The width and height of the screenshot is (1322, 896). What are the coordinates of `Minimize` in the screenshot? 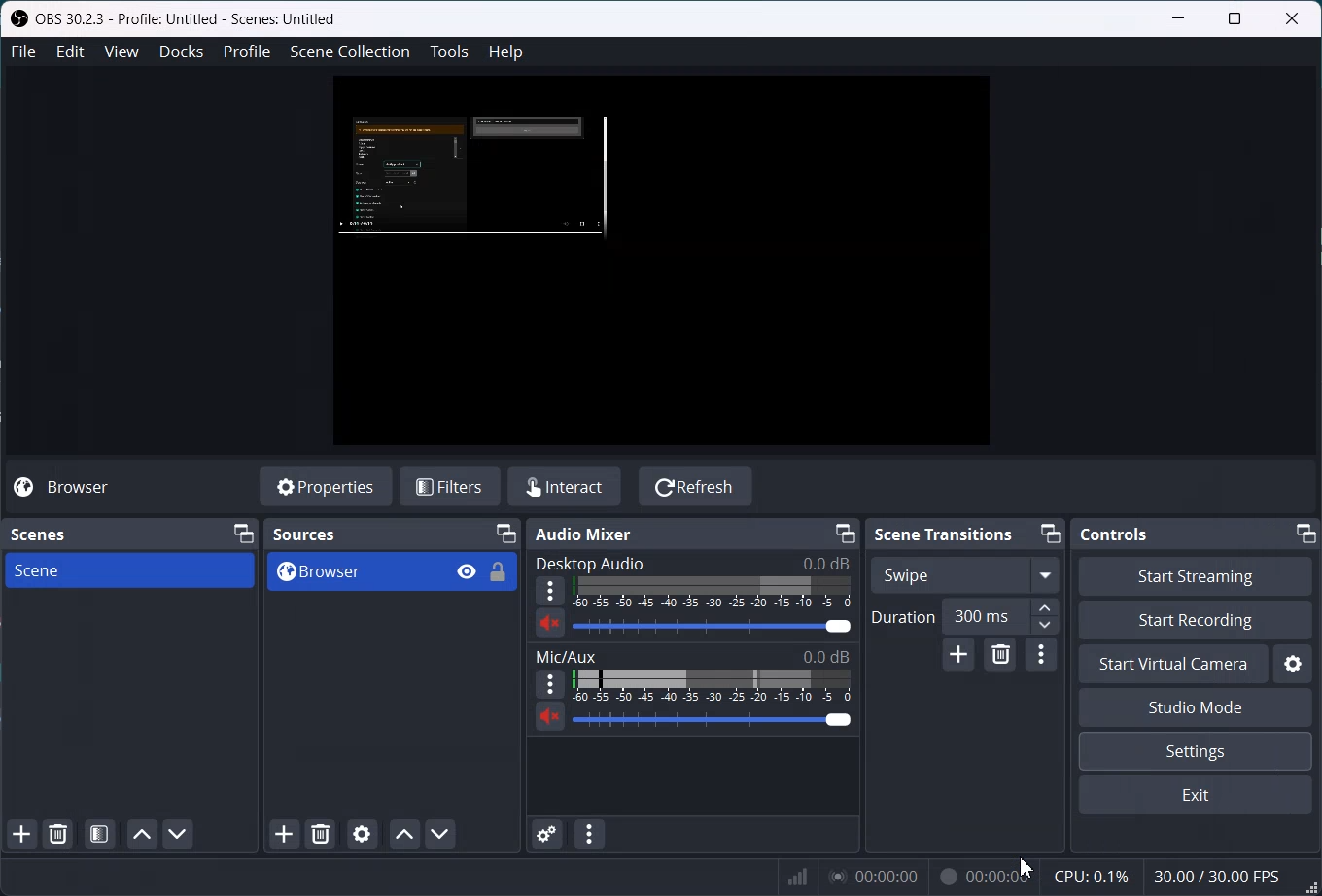 It's located at (845, 533).